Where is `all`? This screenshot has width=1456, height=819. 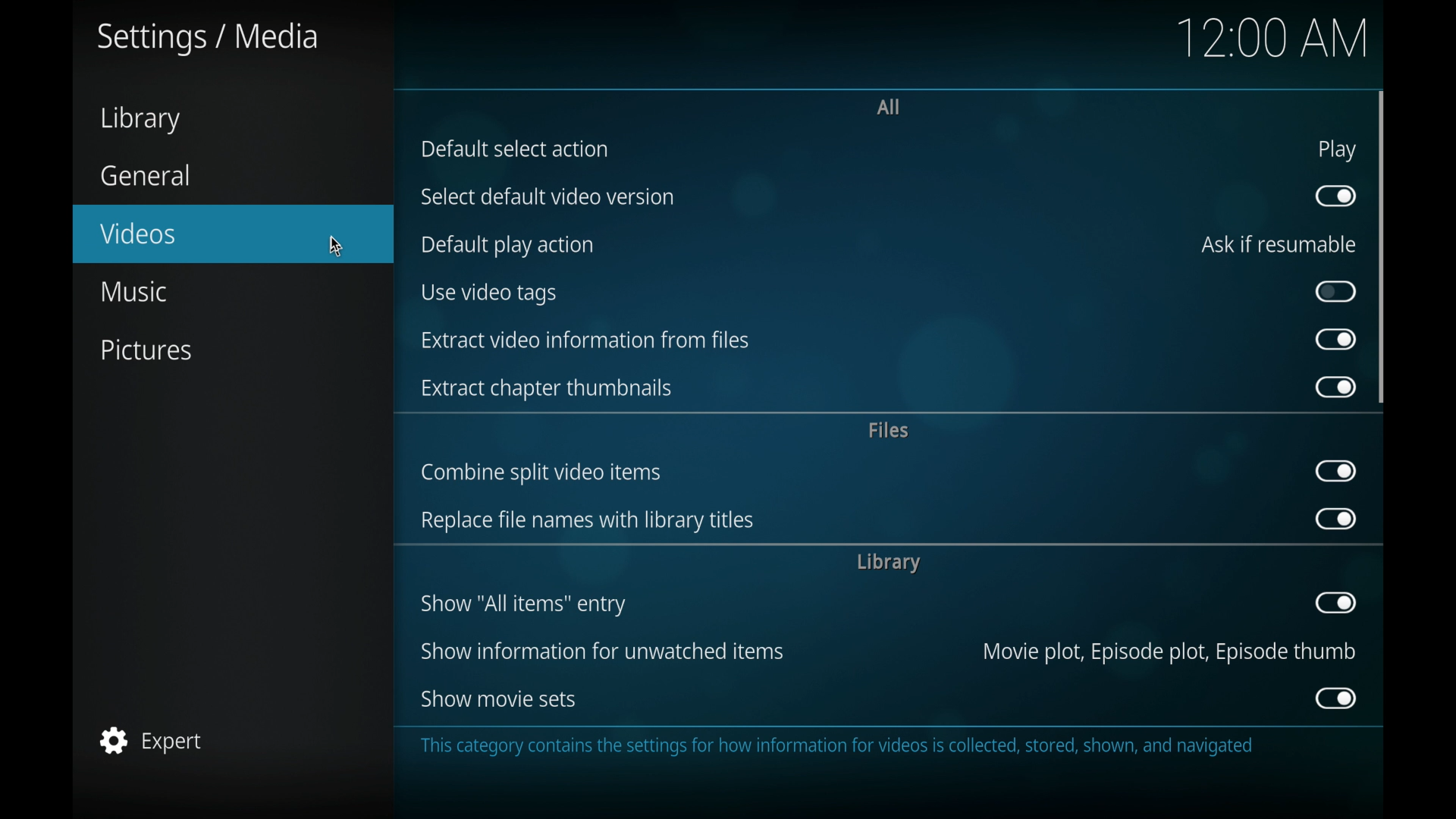 all is located at coordinates (888, 108).